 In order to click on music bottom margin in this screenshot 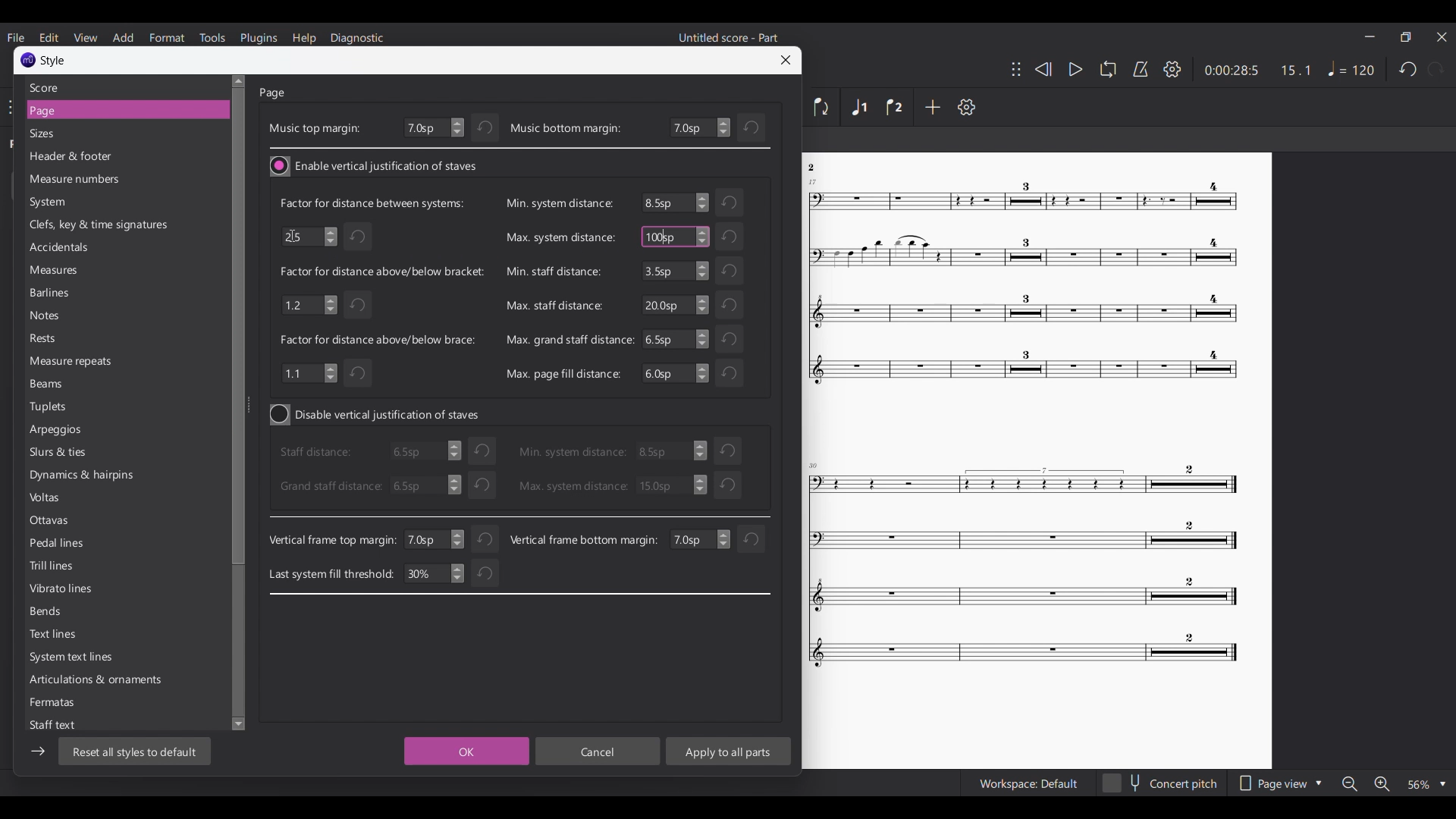, I will do `click(566, 129)`.